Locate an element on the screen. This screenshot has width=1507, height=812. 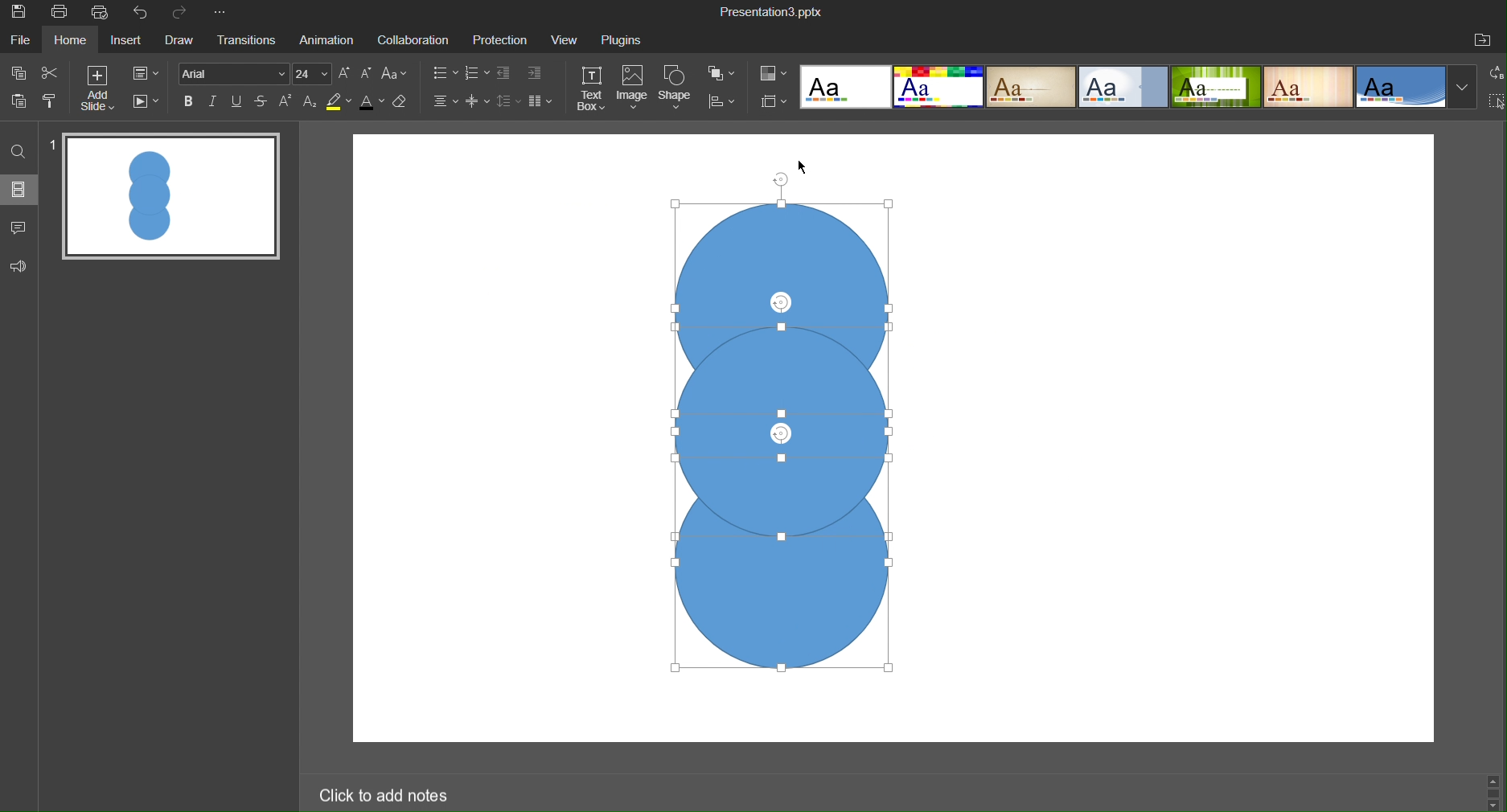
Playback is located at coordinates (148, 104).